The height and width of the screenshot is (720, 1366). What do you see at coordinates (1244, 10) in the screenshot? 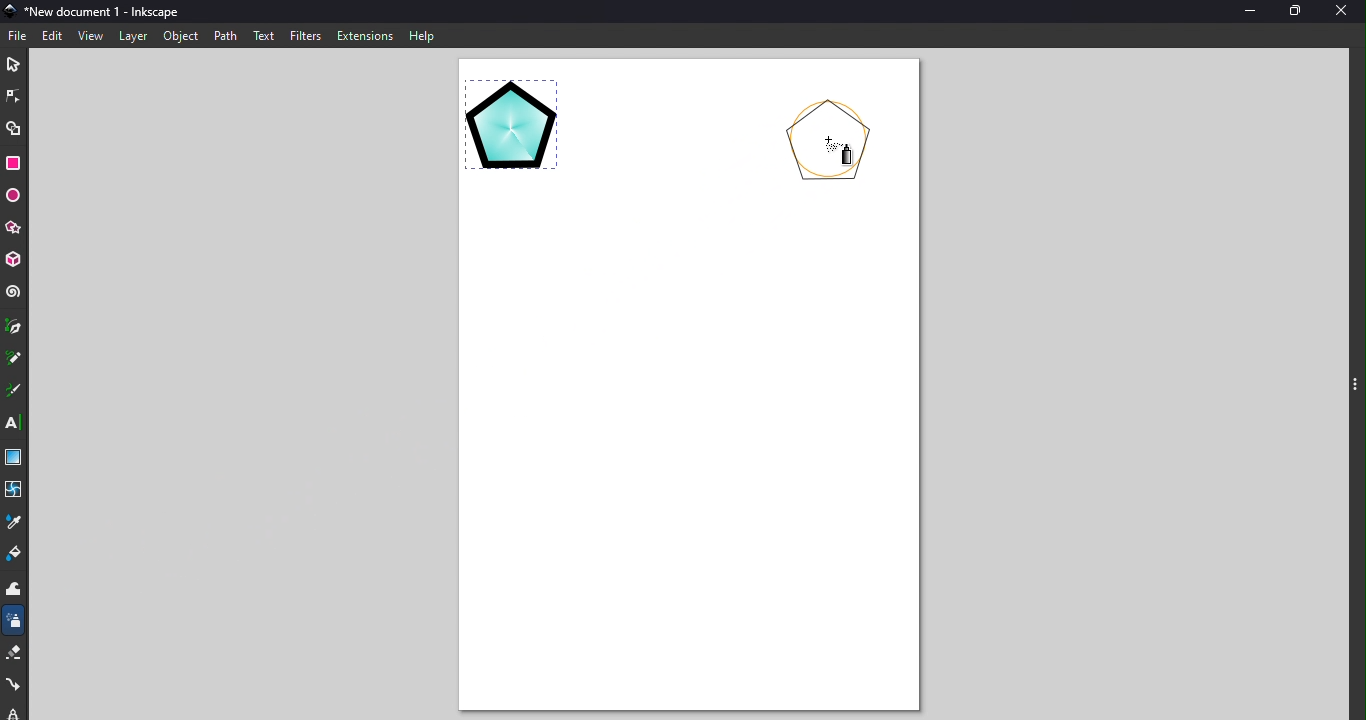
I see `Minimize` at bounding box center [1244, 10].